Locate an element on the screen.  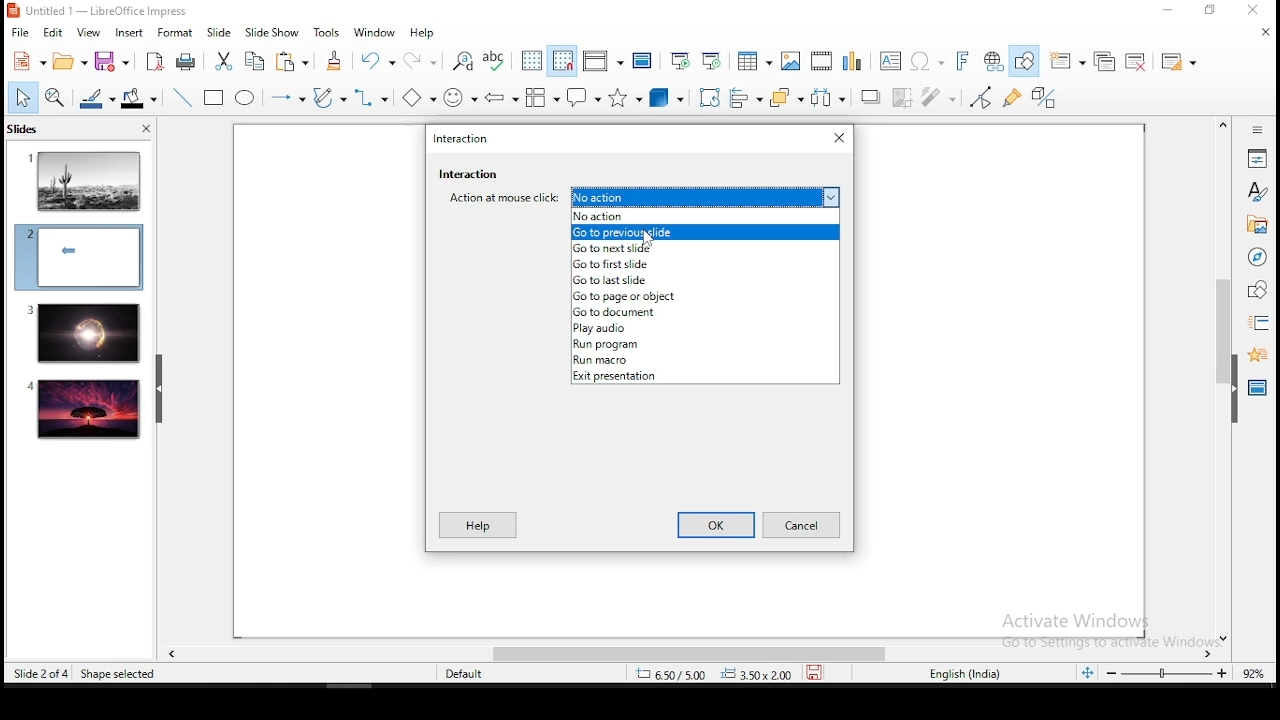
slide is located at coordinates (82, 333).